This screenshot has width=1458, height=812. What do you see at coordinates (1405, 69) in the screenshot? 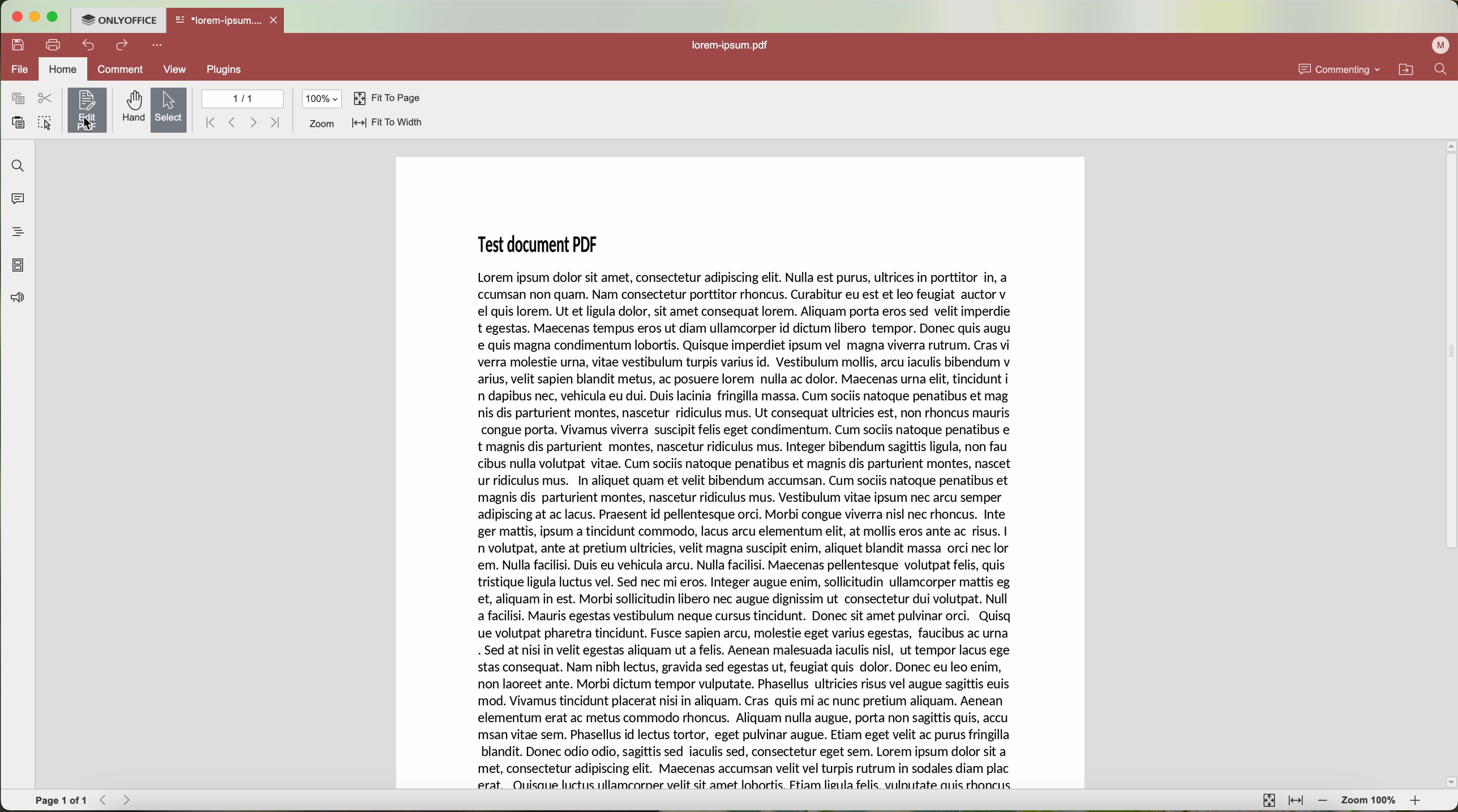
I see `open file location` at bounding box center [1405, 69].